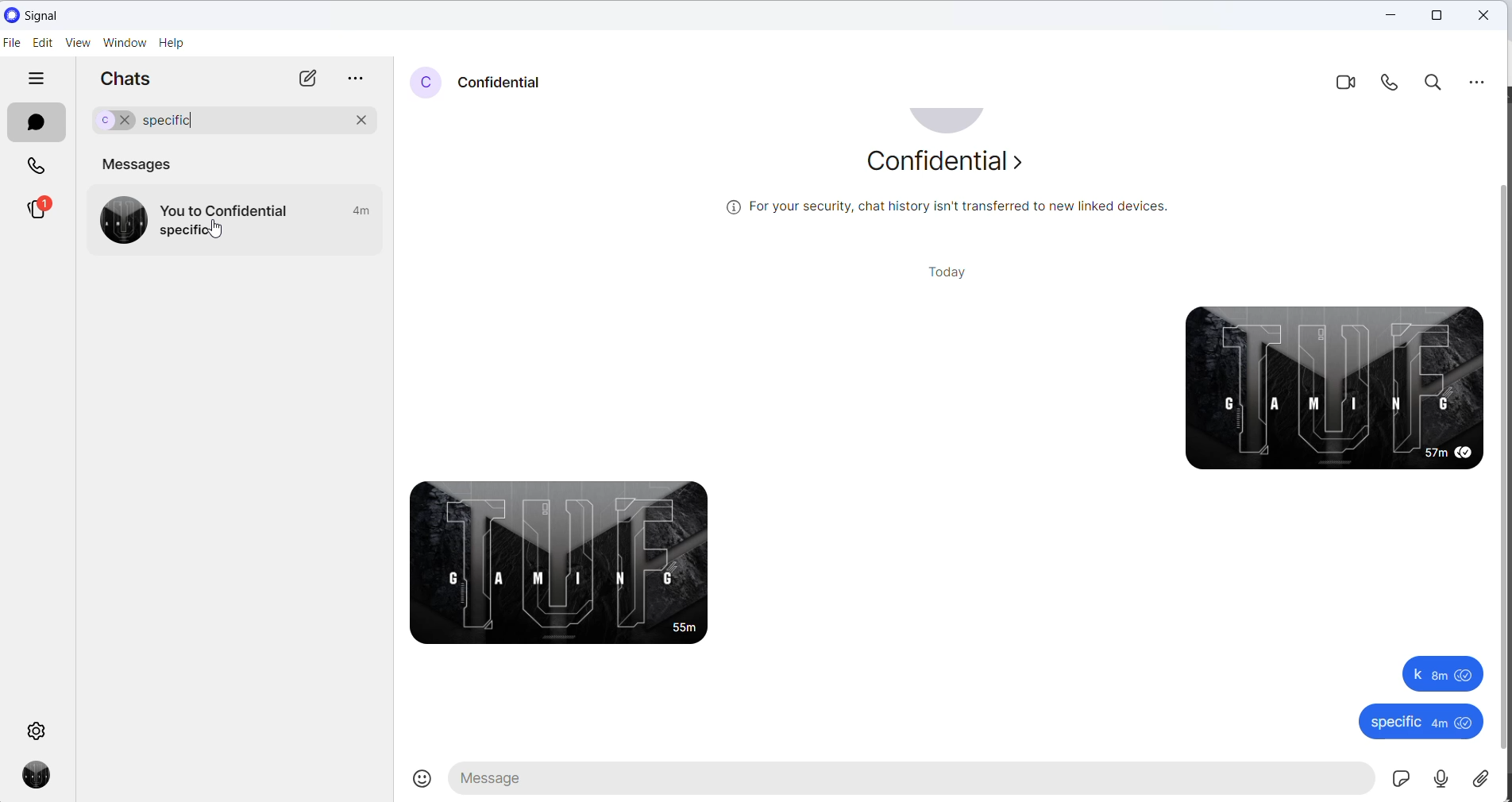  What do you see at coordinates (951, 122) in the screenshot?
I see `profile picture` at bounding box center [951, 122].